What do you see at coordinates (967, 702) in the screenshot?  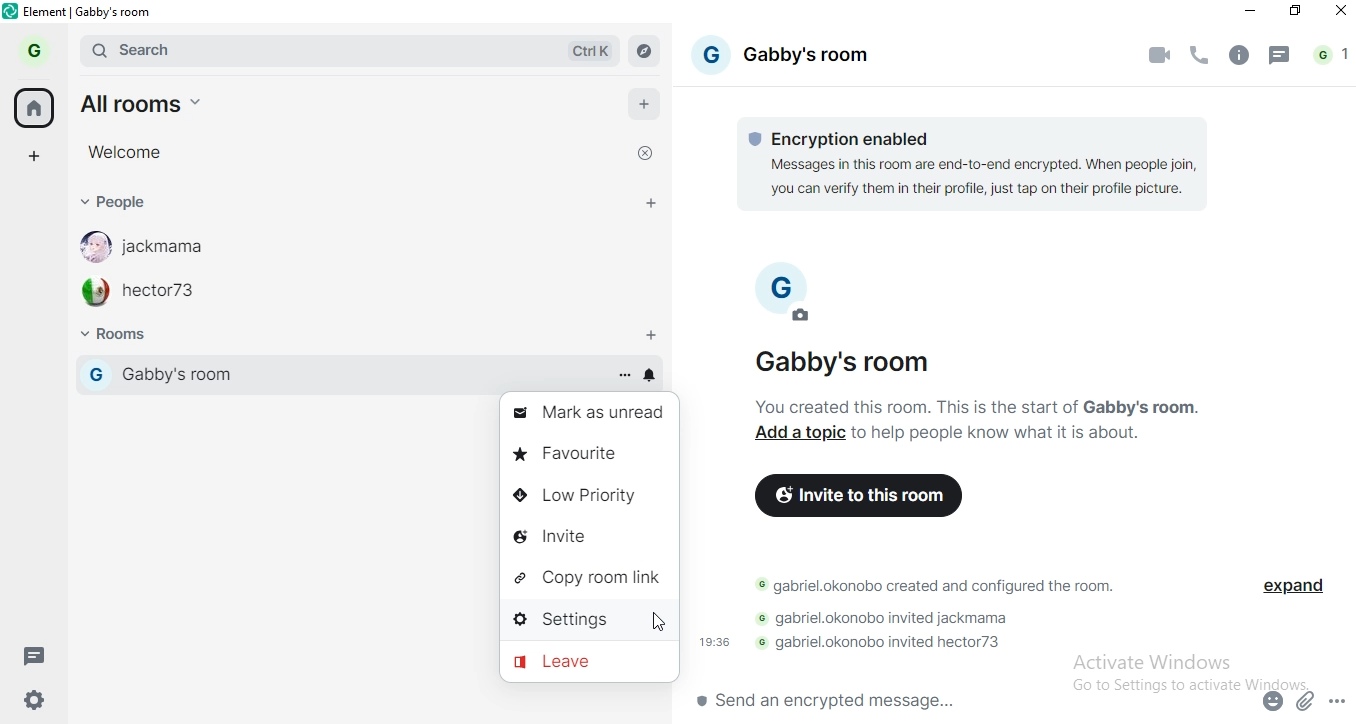 I see `chatbox` at bounding box center [967, 702].